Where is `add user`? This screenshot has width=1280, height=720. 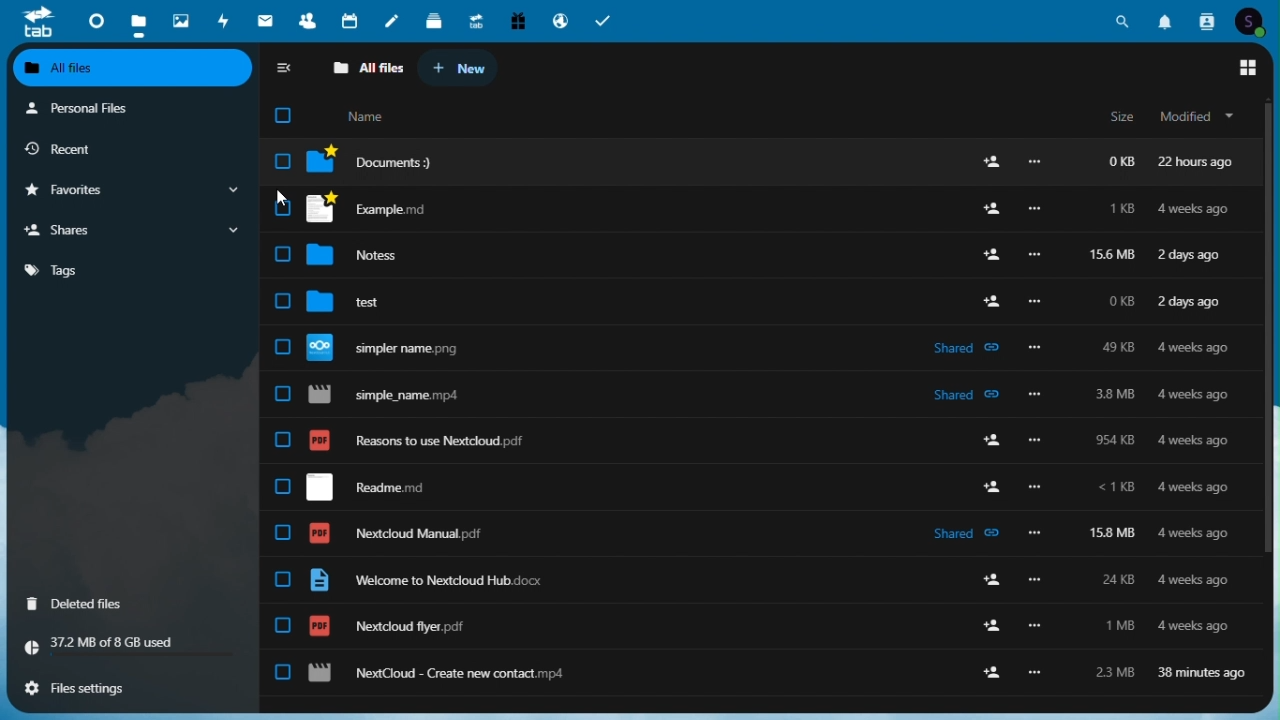 add user is located at coordinates (992, 486).